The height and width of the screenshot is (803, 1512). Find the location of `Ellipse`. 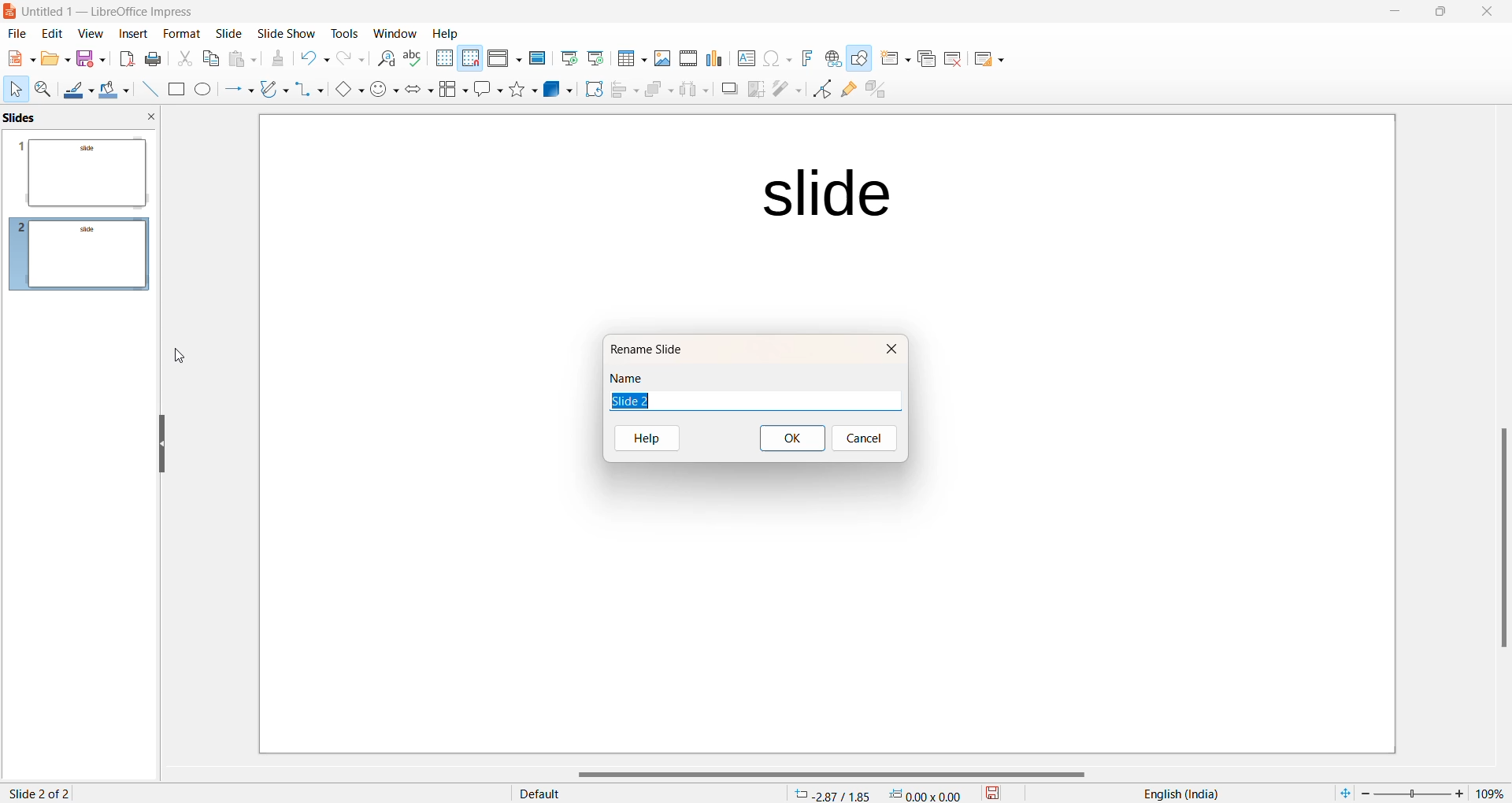

Ellipse is located at coordinates (202, 90).